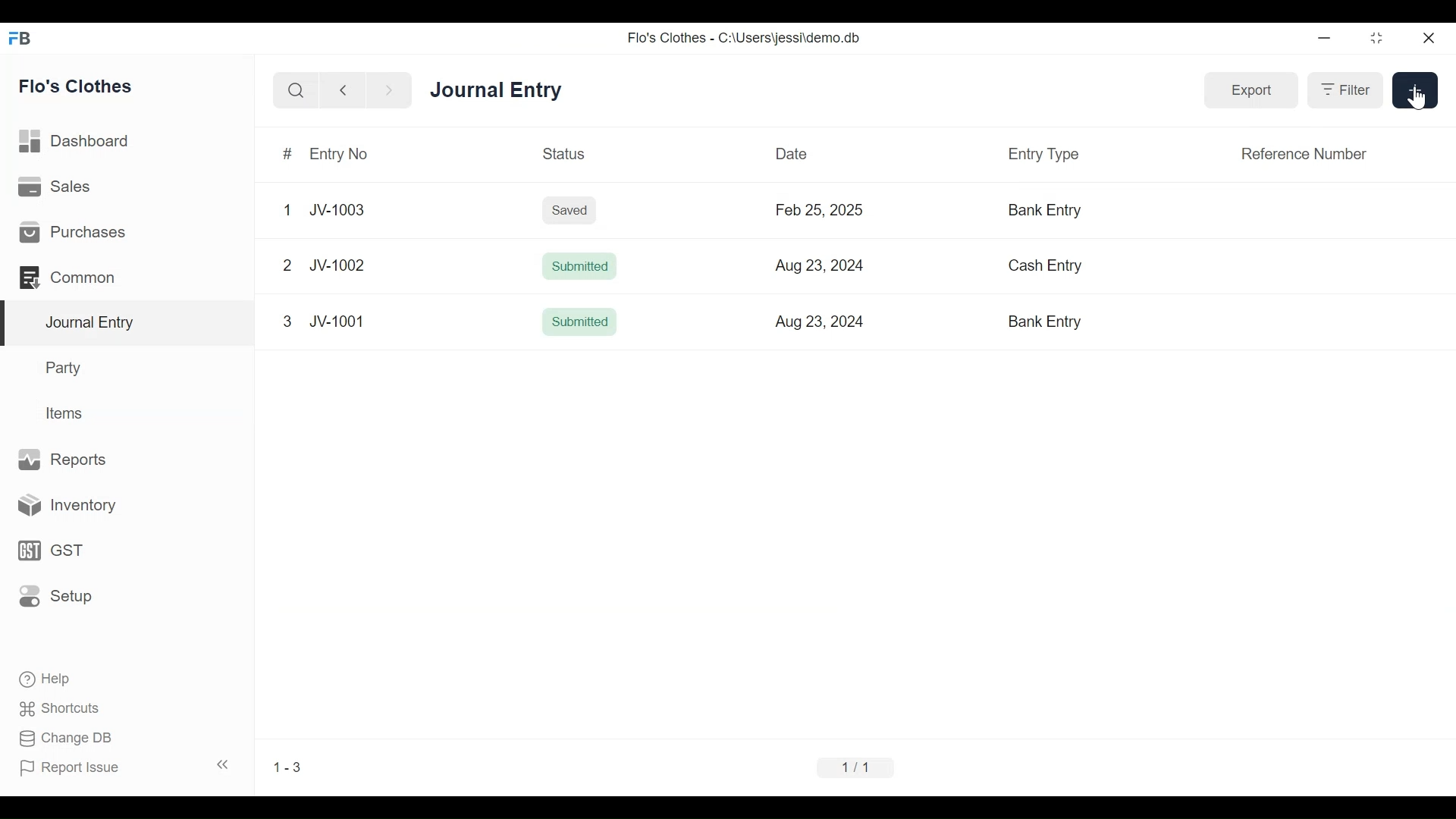 The image size is (1456, 819). I want to click on Bank Entry, so click(1044, 322).